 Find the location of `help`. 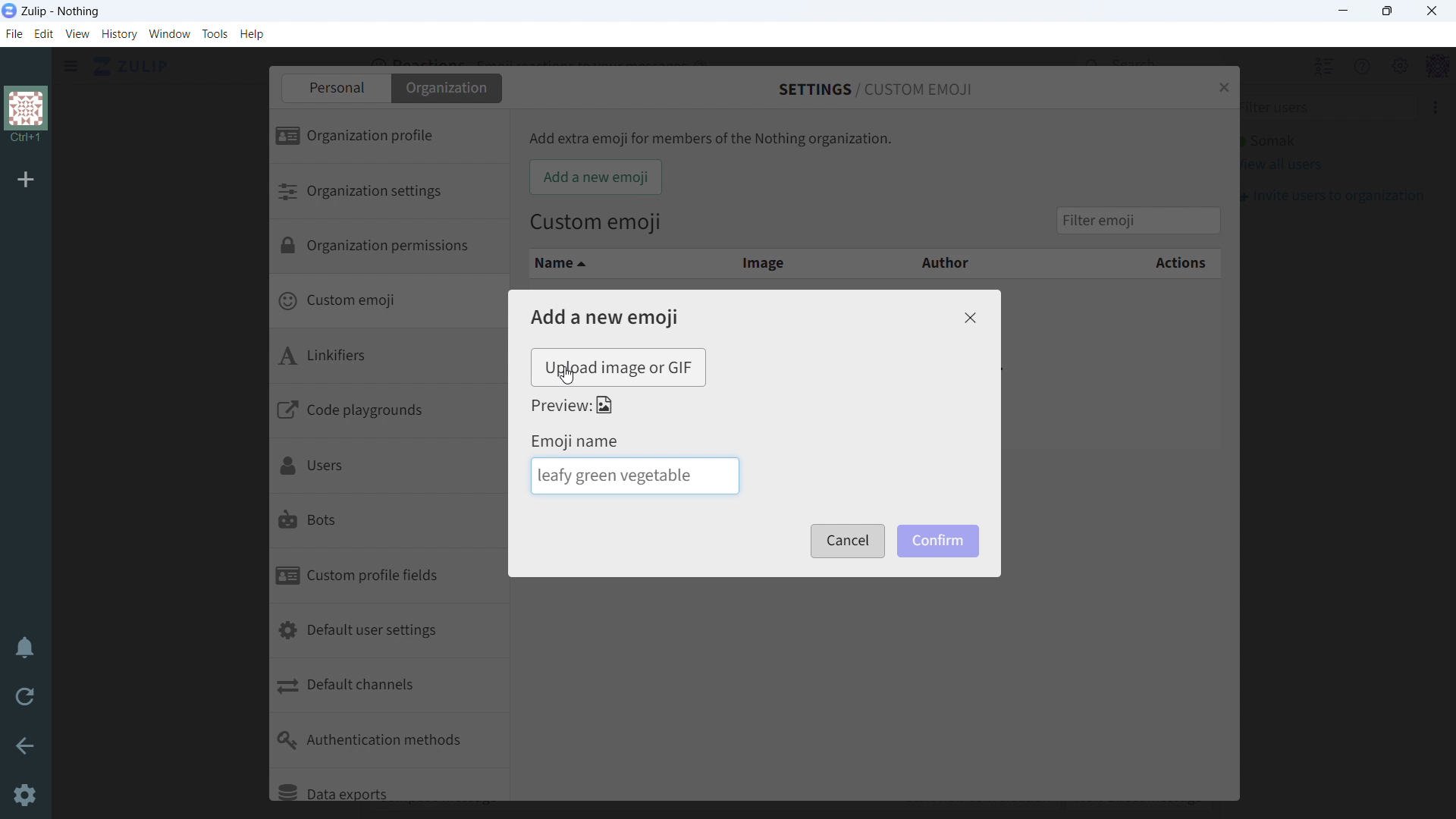

help is located at coordinates (252, 34).